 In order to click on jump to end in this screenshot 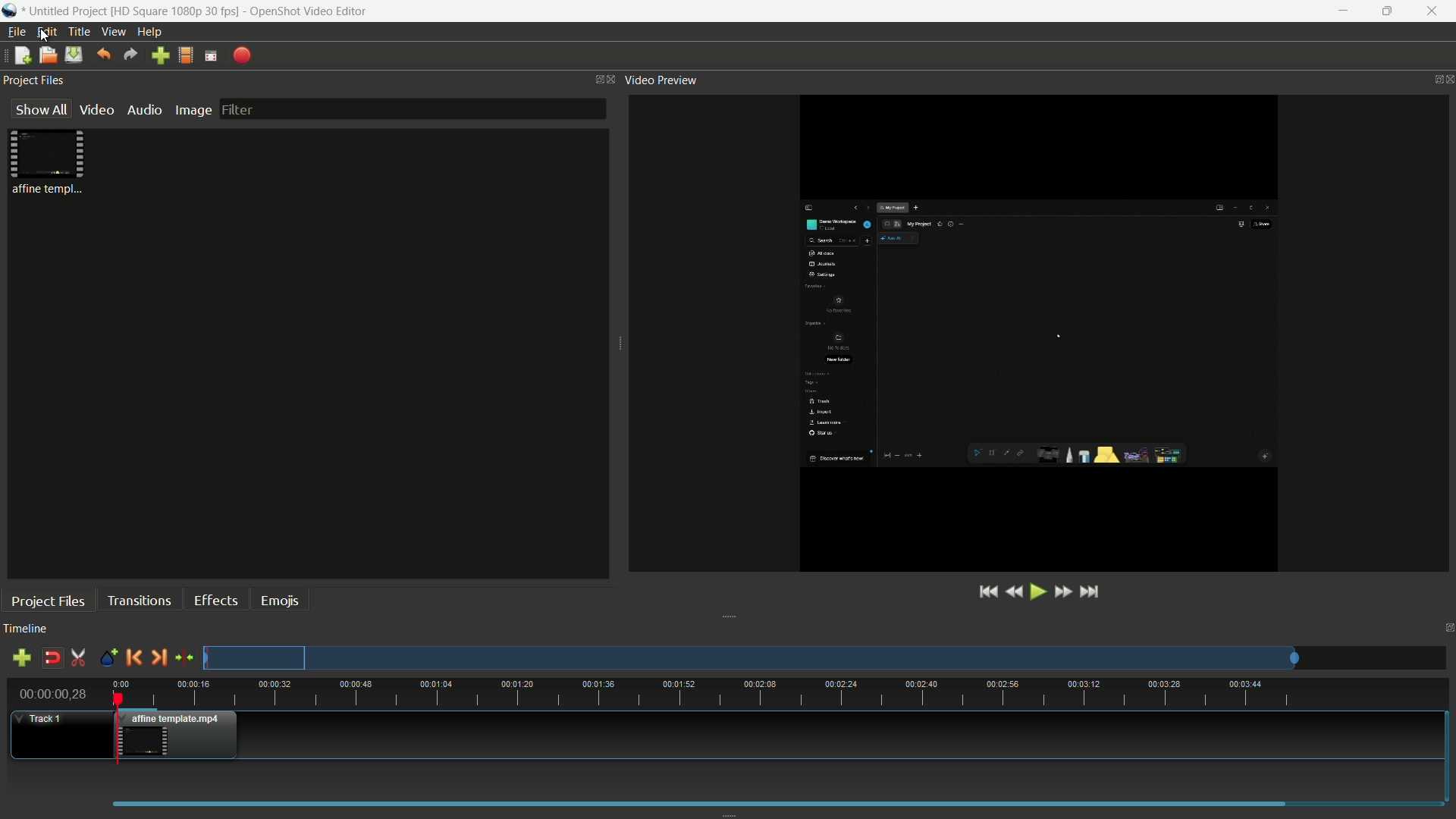, I will do `click(1093, 591)`.